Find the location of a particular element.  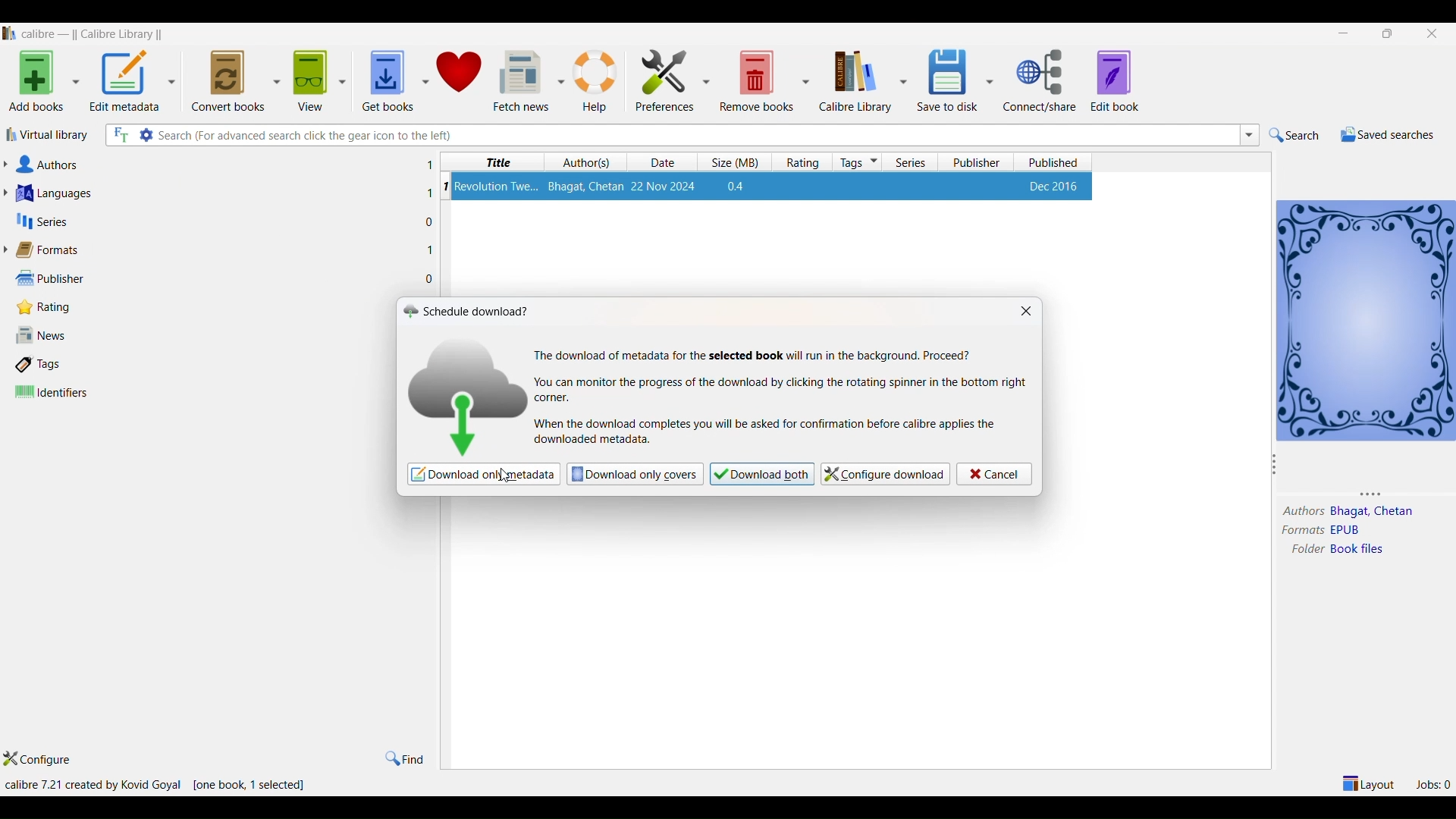

1 is located at coordinates (429, 165).